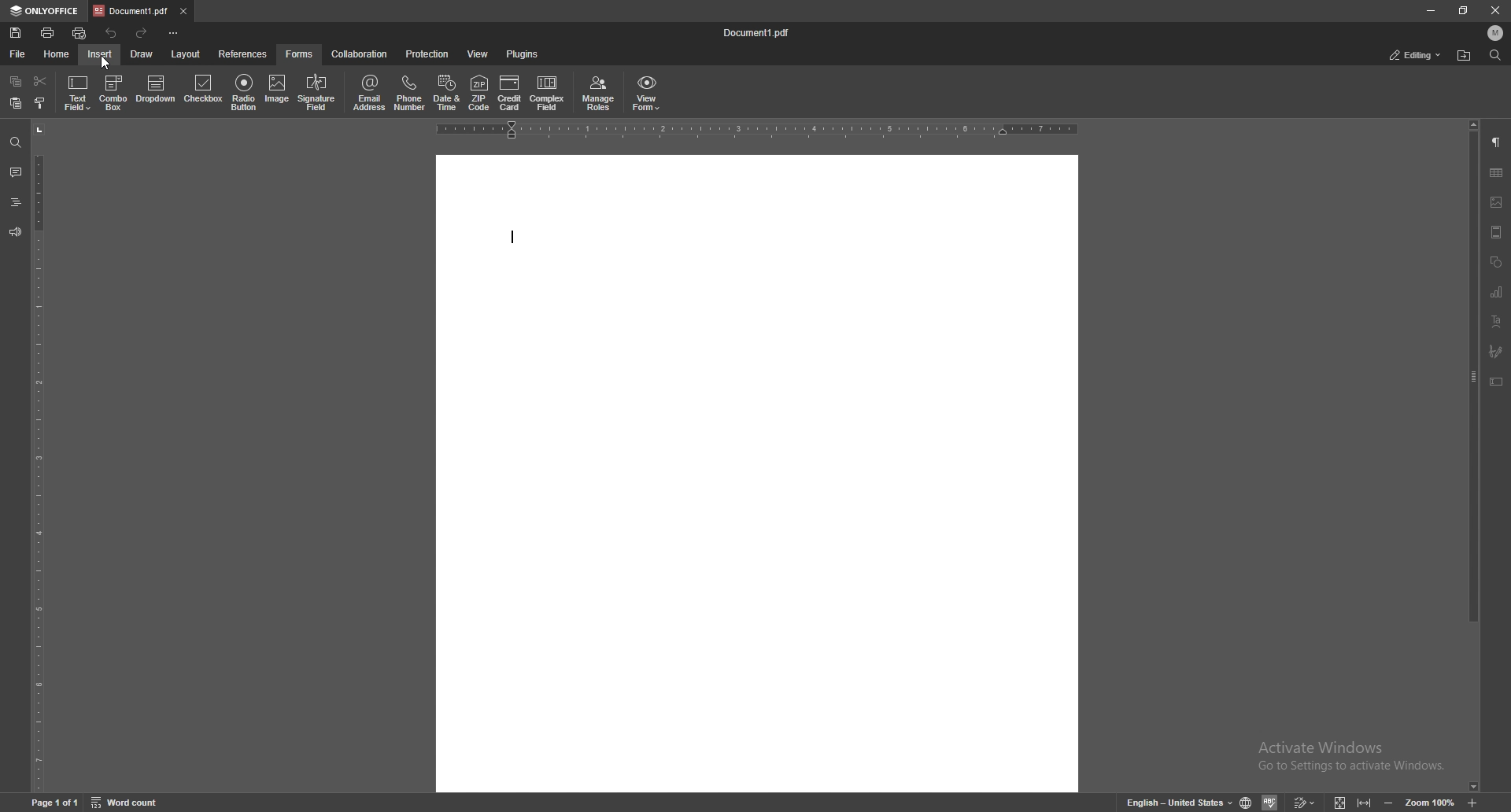 The height and width of the screenshot is (812, 1511). Describe the element at coordinates (1495, 11) in the screenshot. I see `close` at that location.